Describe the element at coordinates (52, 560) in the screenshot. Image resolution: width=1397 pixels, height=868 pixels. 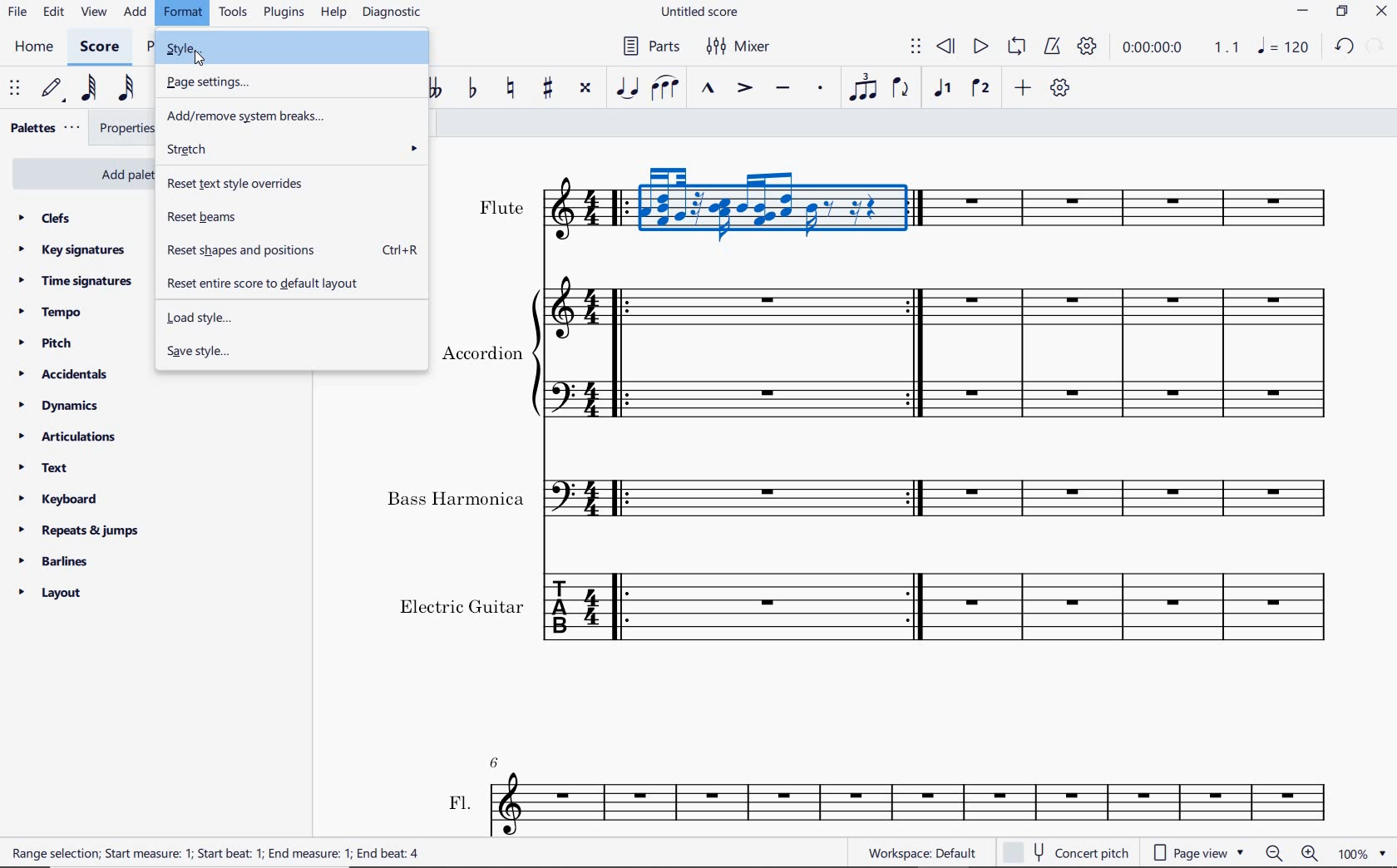
I see `barlines` at that location.